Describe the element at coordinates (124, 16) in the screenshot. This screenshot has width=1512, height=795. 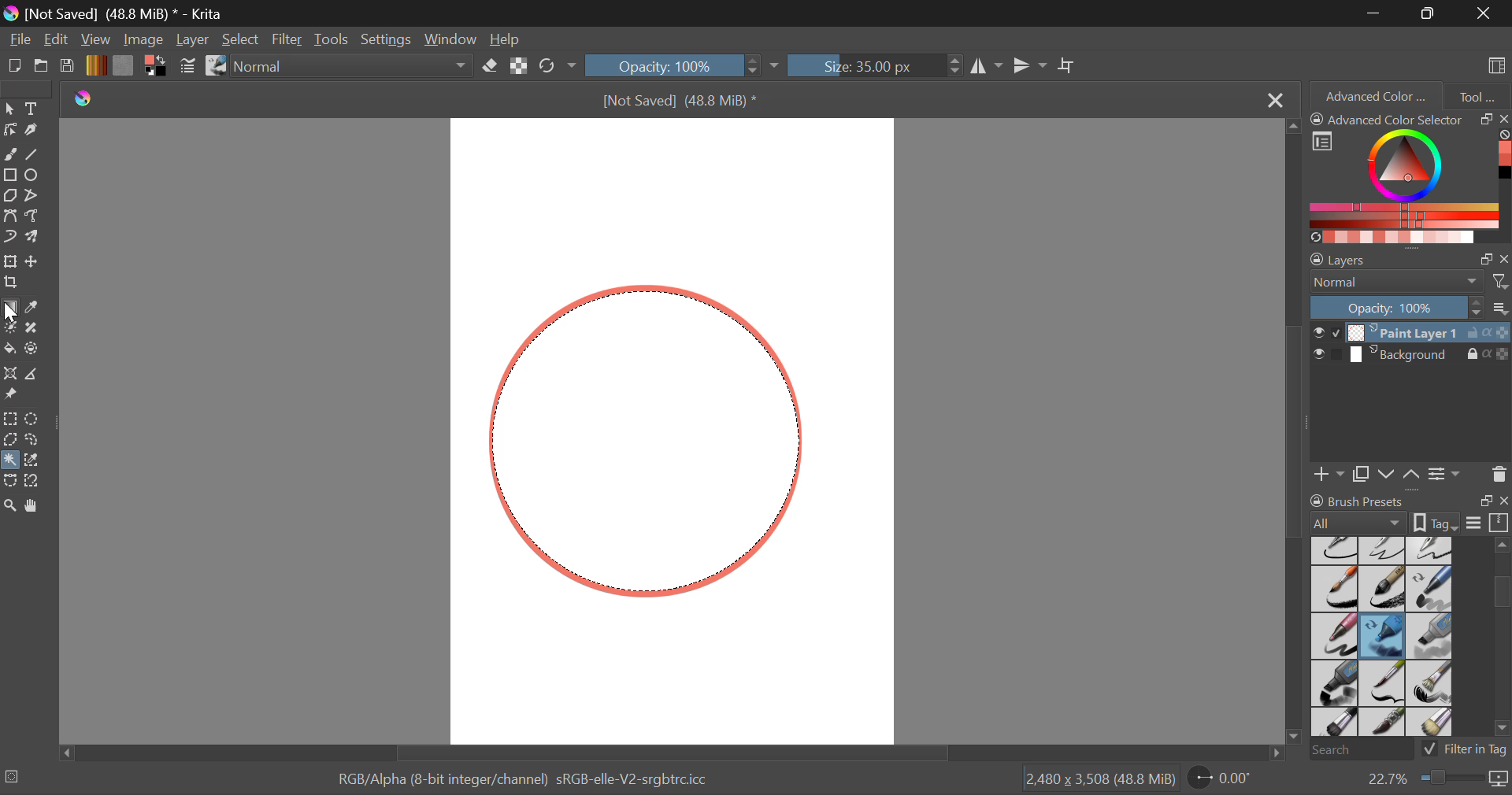
I see `' [Not Saved] (48.8 MiB) * - Krita` at that location.